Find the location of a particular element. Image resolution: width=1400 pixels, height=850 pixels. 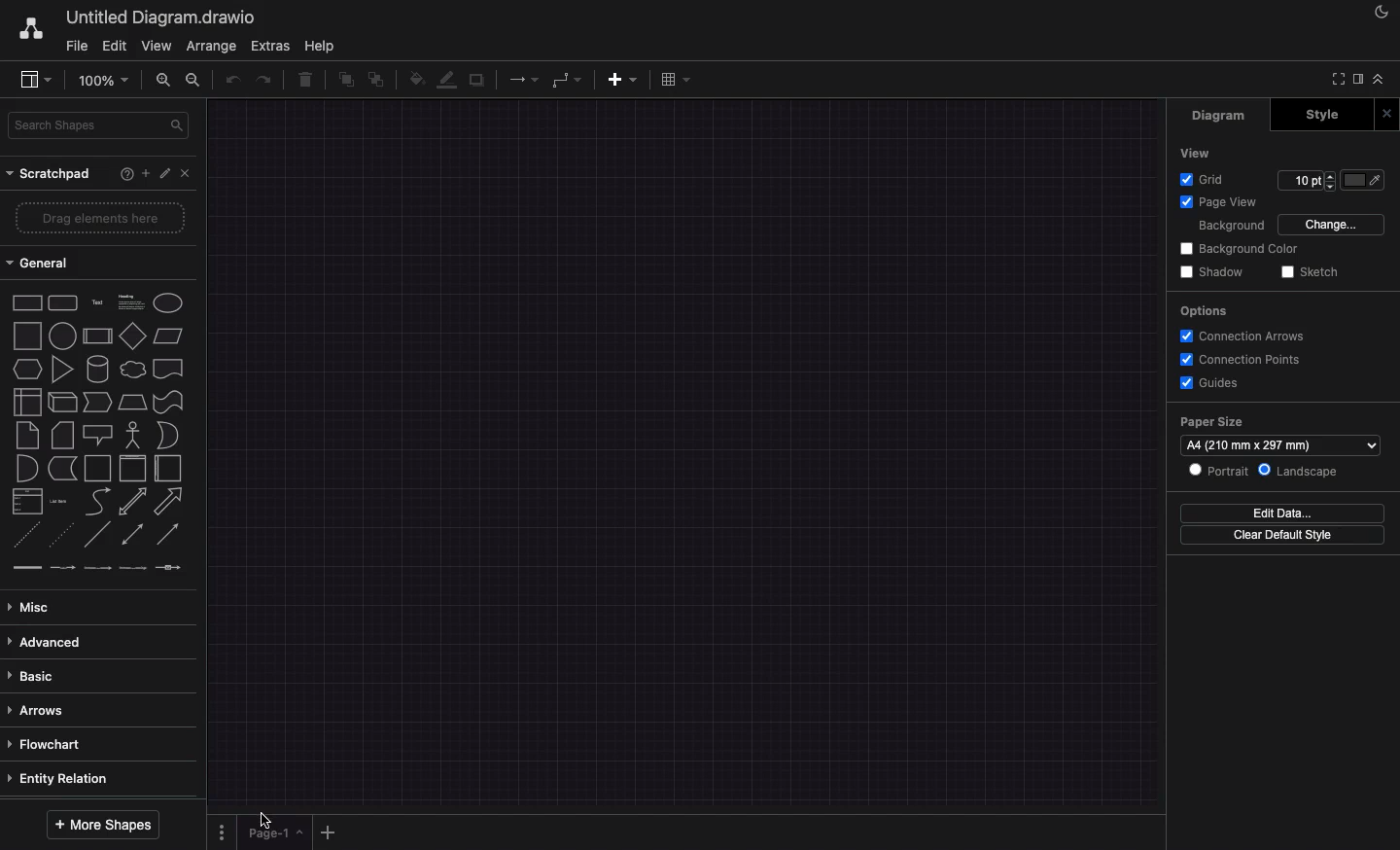

shadow is located at coordinates (1214, 271).